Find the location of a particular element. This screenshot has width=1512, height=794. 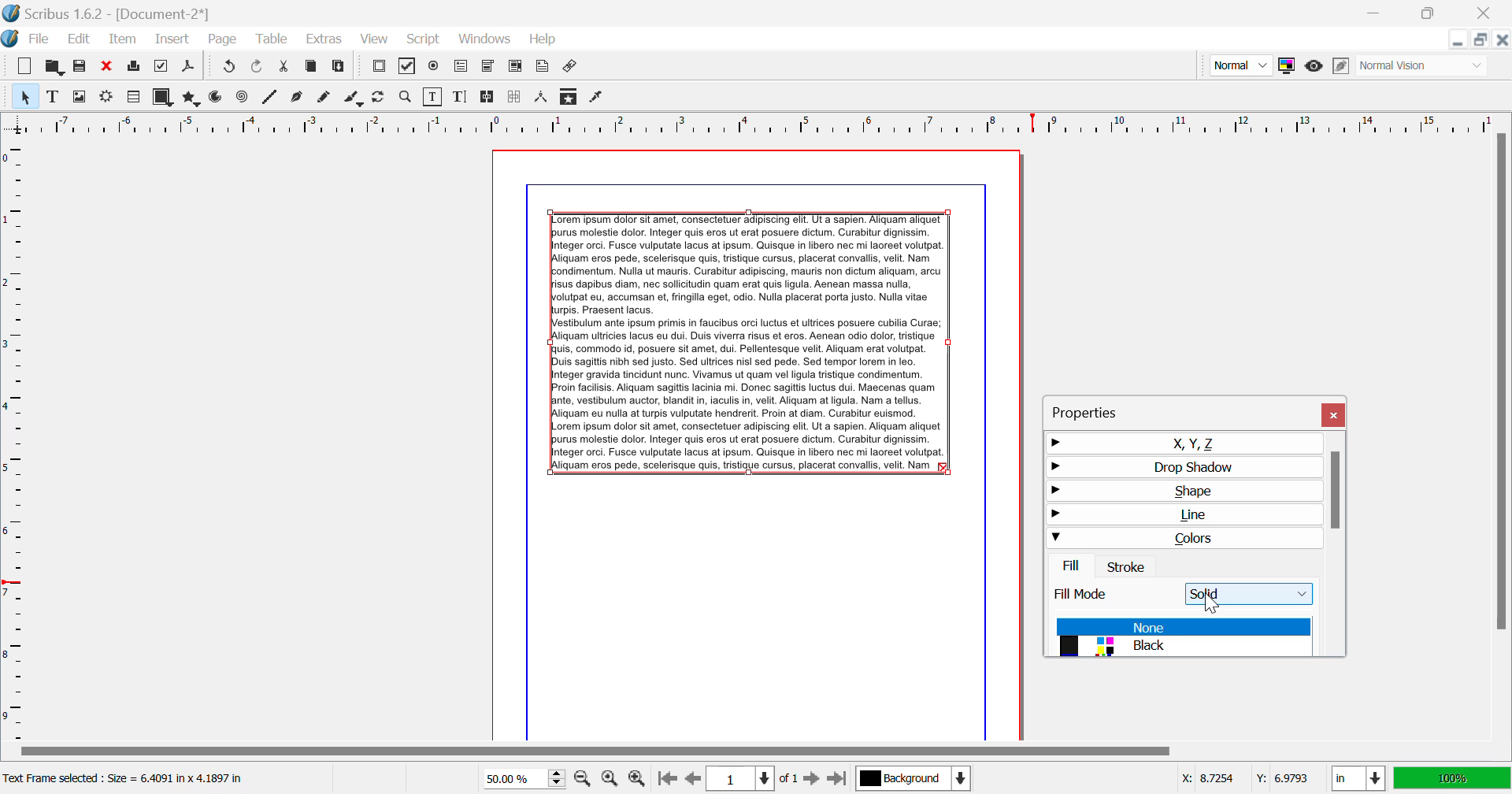

Toggle Color Management is located at coordinates (1286, 65).